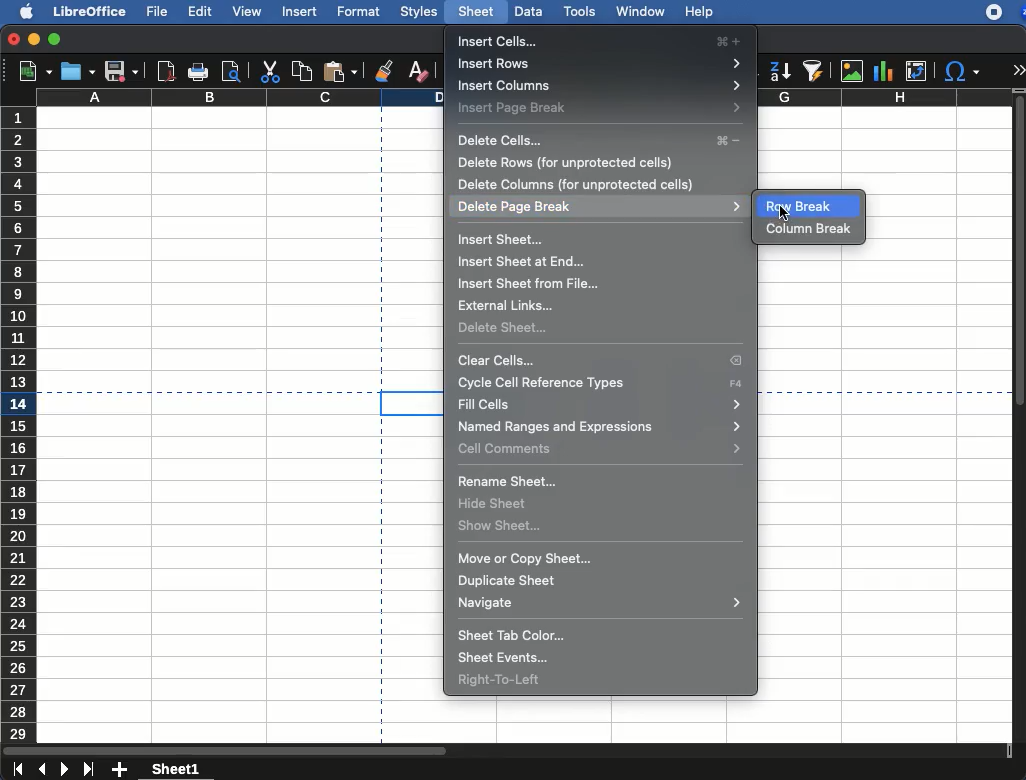  Describe the element at coordinates (1020, 69) in the screenshot. I see `expand` at that location.